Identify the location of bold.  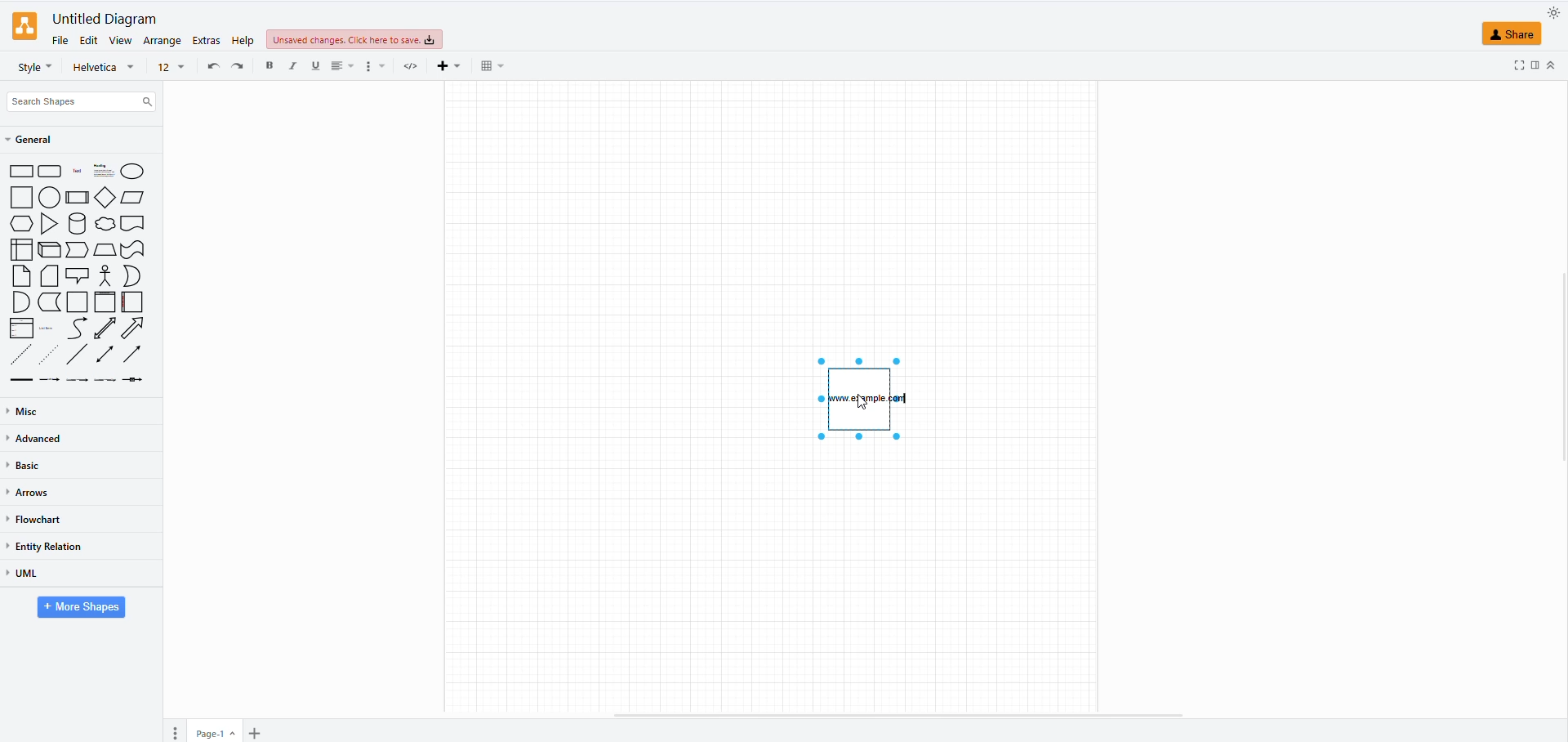
(274, 66).